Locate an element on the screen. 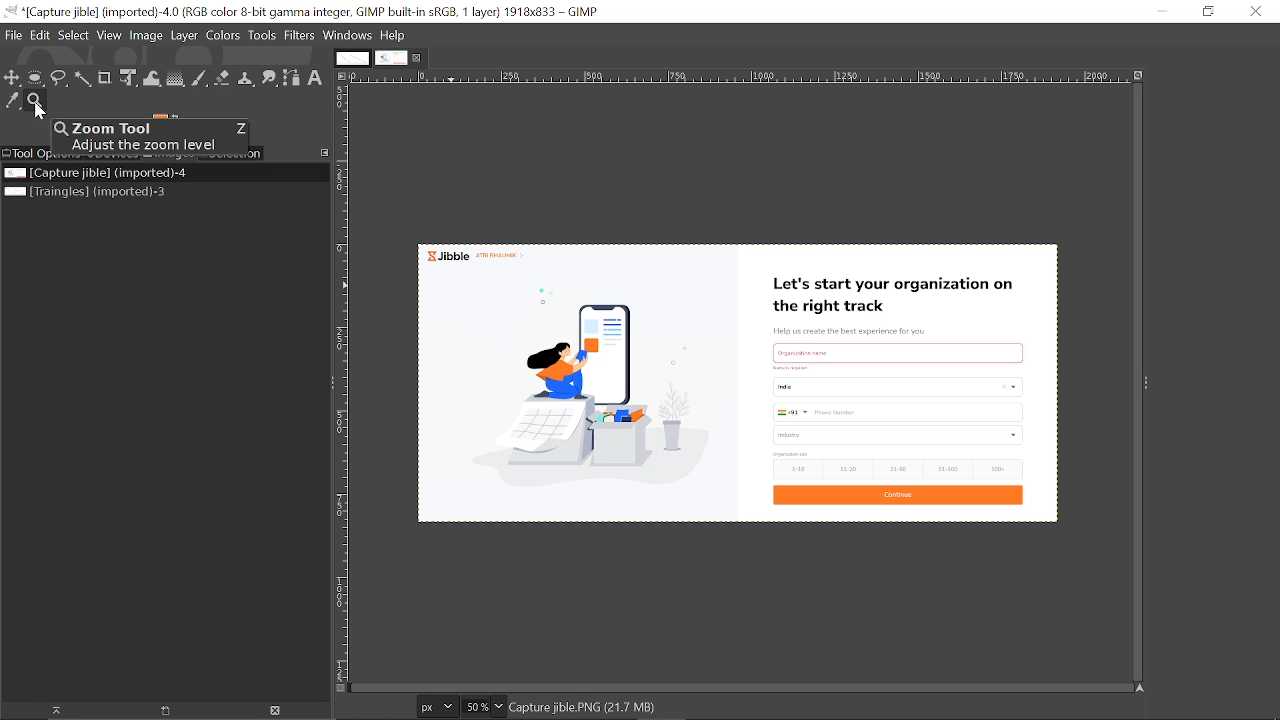 The height and width of the screenshot is (720, 1280). wrap transform is located at coordinates (154, 78).